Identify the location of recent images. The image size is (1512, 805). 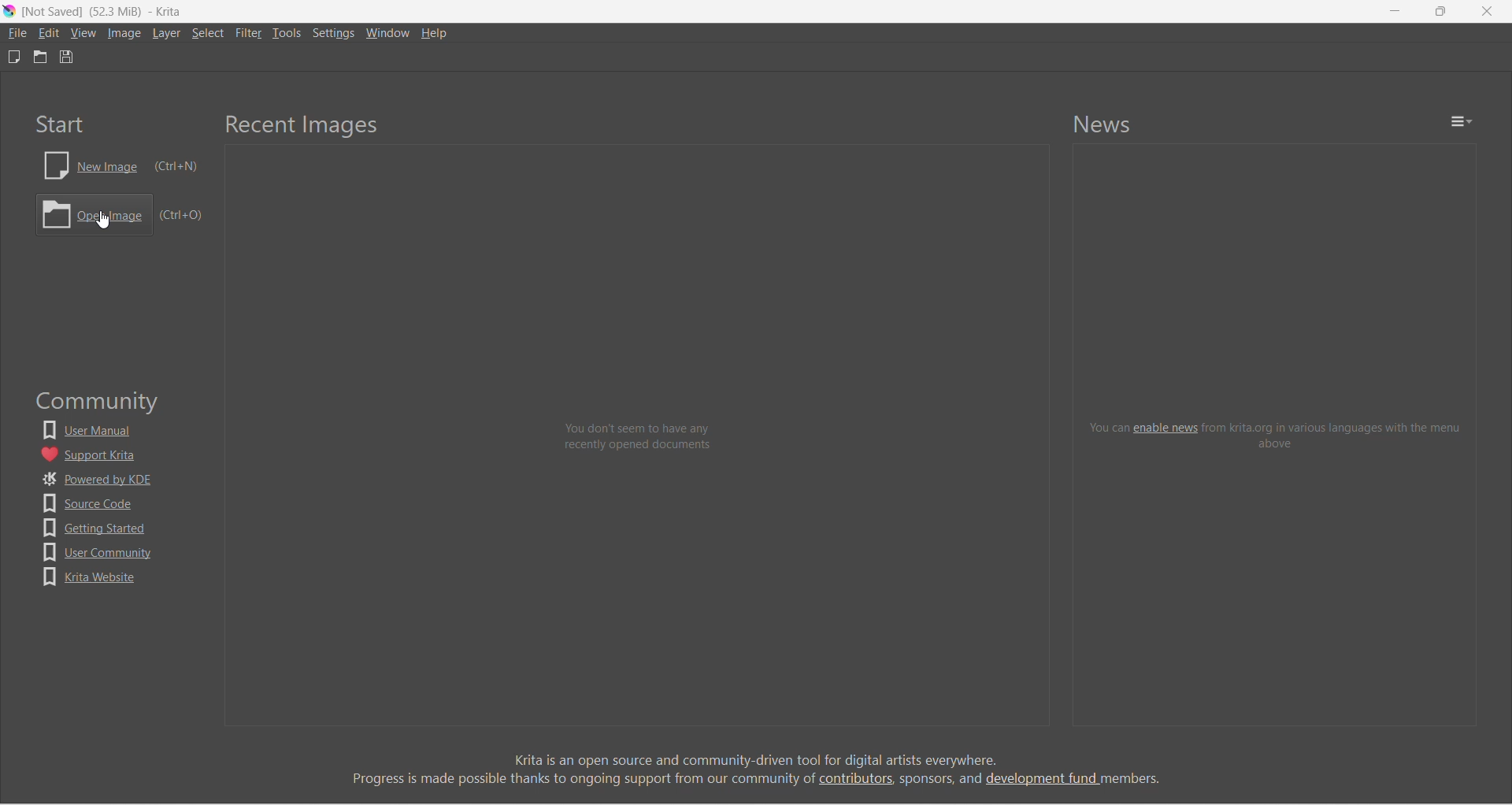
(303, 126).